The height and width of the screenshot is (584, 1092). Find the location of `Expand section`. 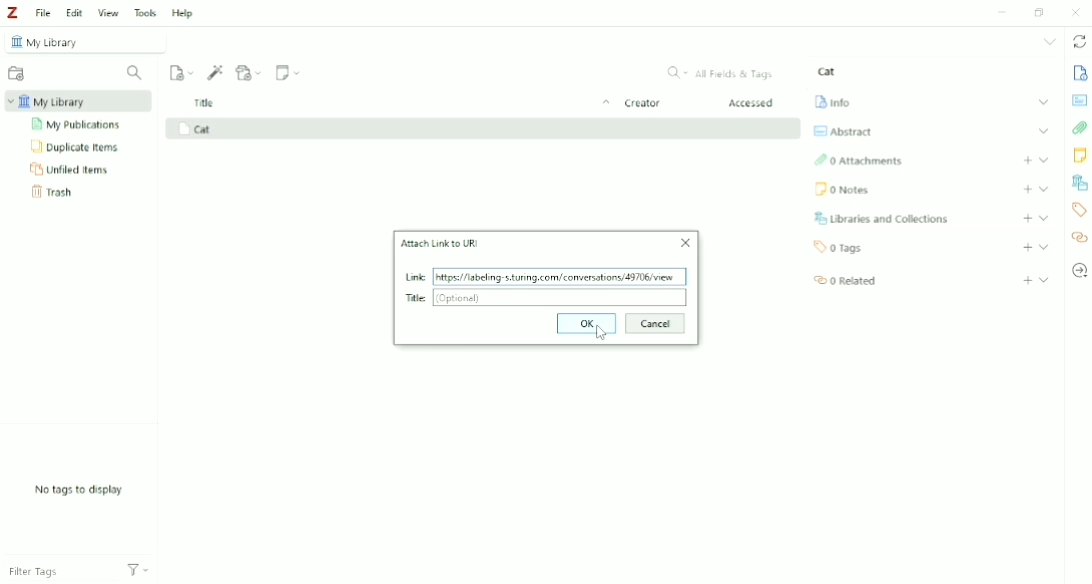

Expand section is located at coordinates (1045, 189).